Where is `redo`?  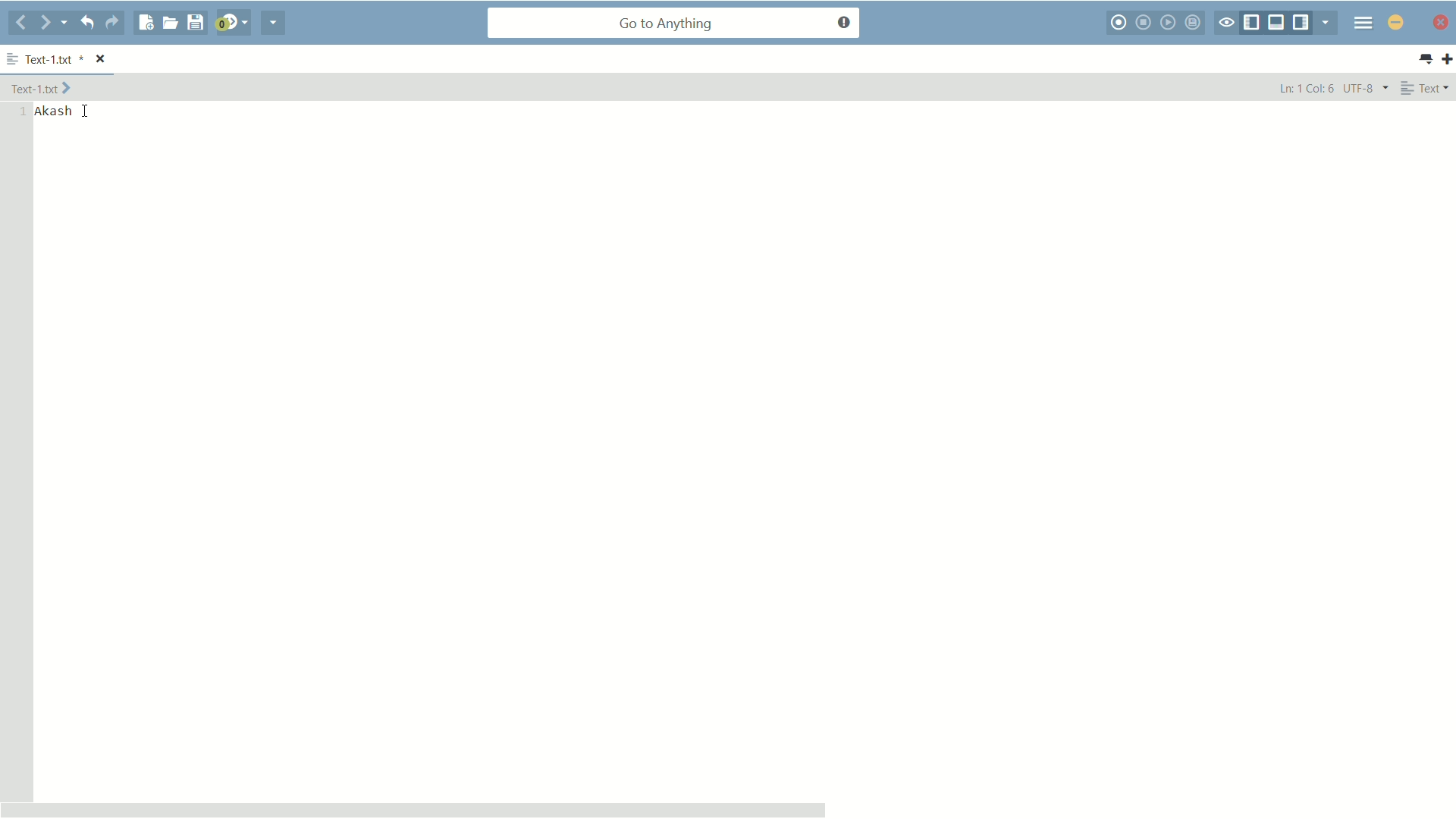 redo is located at coordinates (112, 23).